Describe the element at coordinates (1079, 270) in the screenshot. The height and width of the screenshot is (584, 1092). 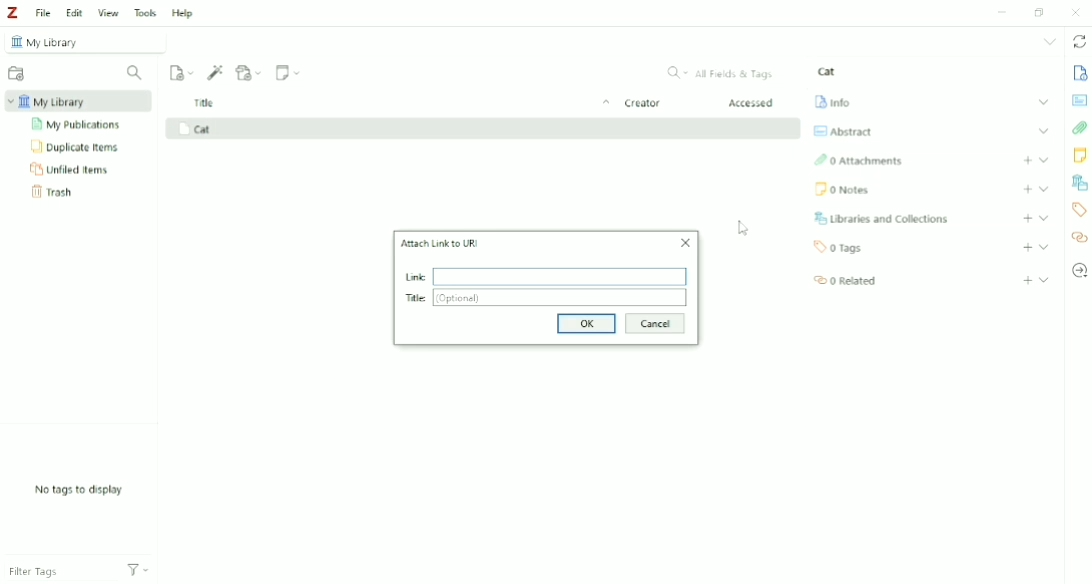
I see `Locate` at that location.